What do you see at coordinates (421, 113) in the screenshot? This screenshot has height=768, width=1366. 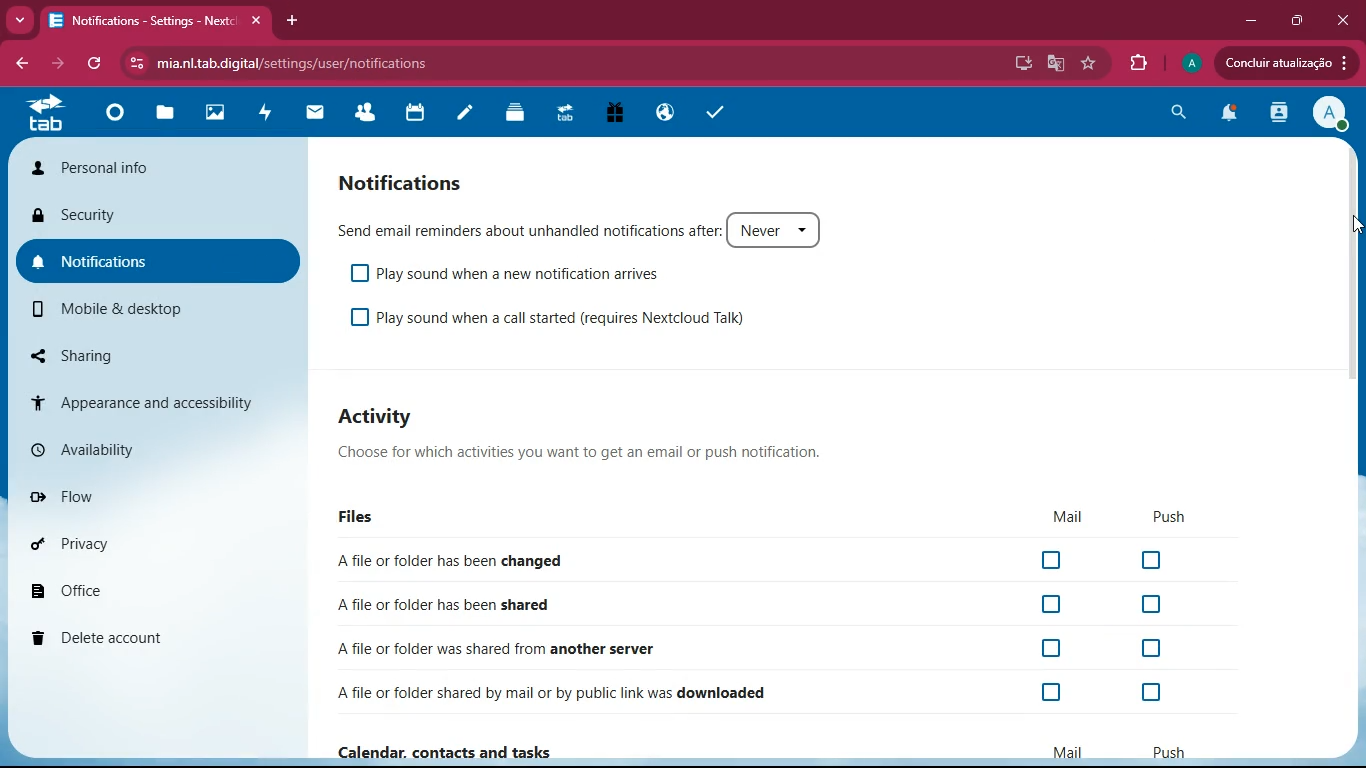 I see `calendar` at bounding box center [421, 113].